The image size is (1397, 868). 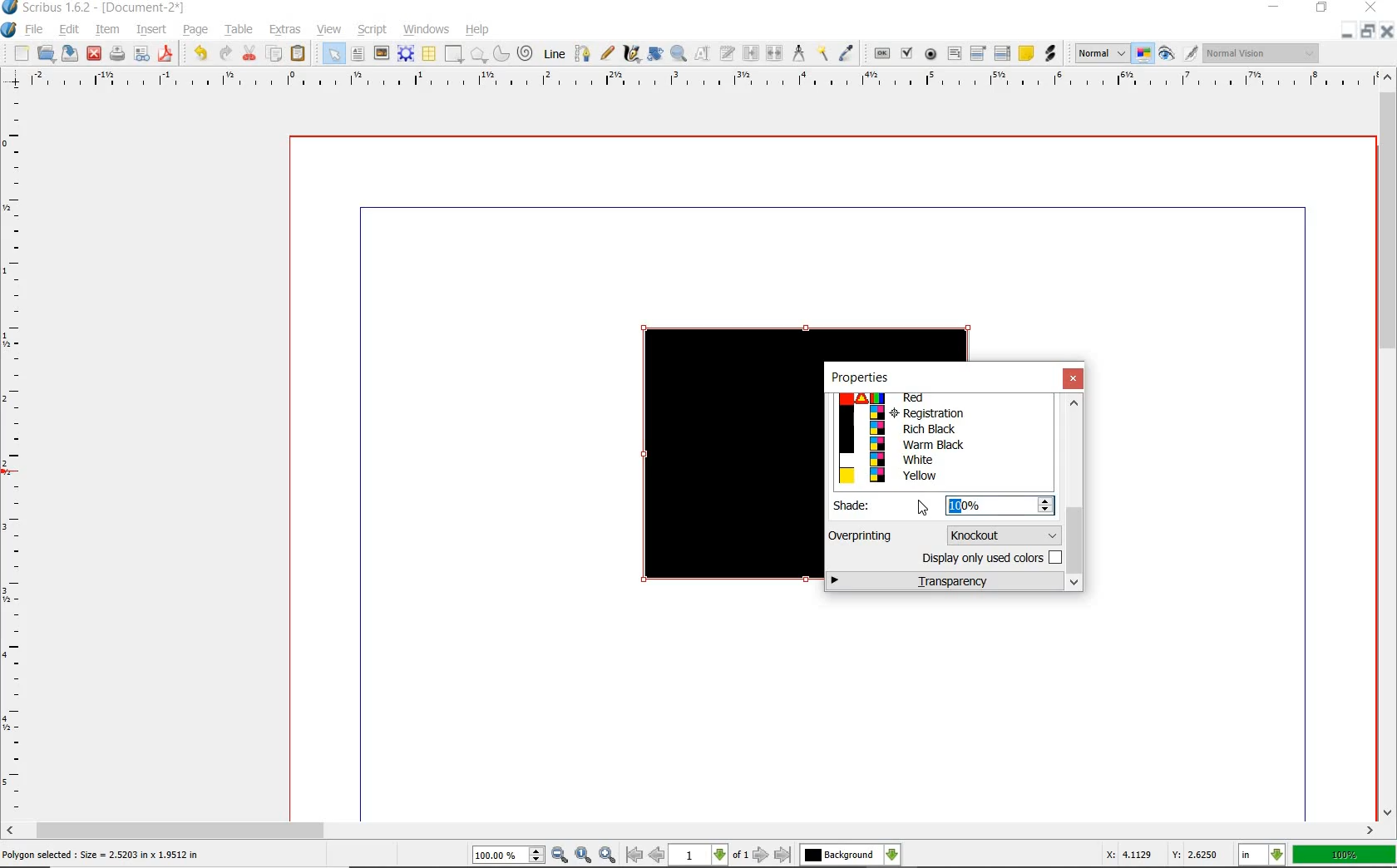 What do you see at coordinates (583, 53) in the screenshot?
I see `bezier curve` at bounding box center [583, 53].